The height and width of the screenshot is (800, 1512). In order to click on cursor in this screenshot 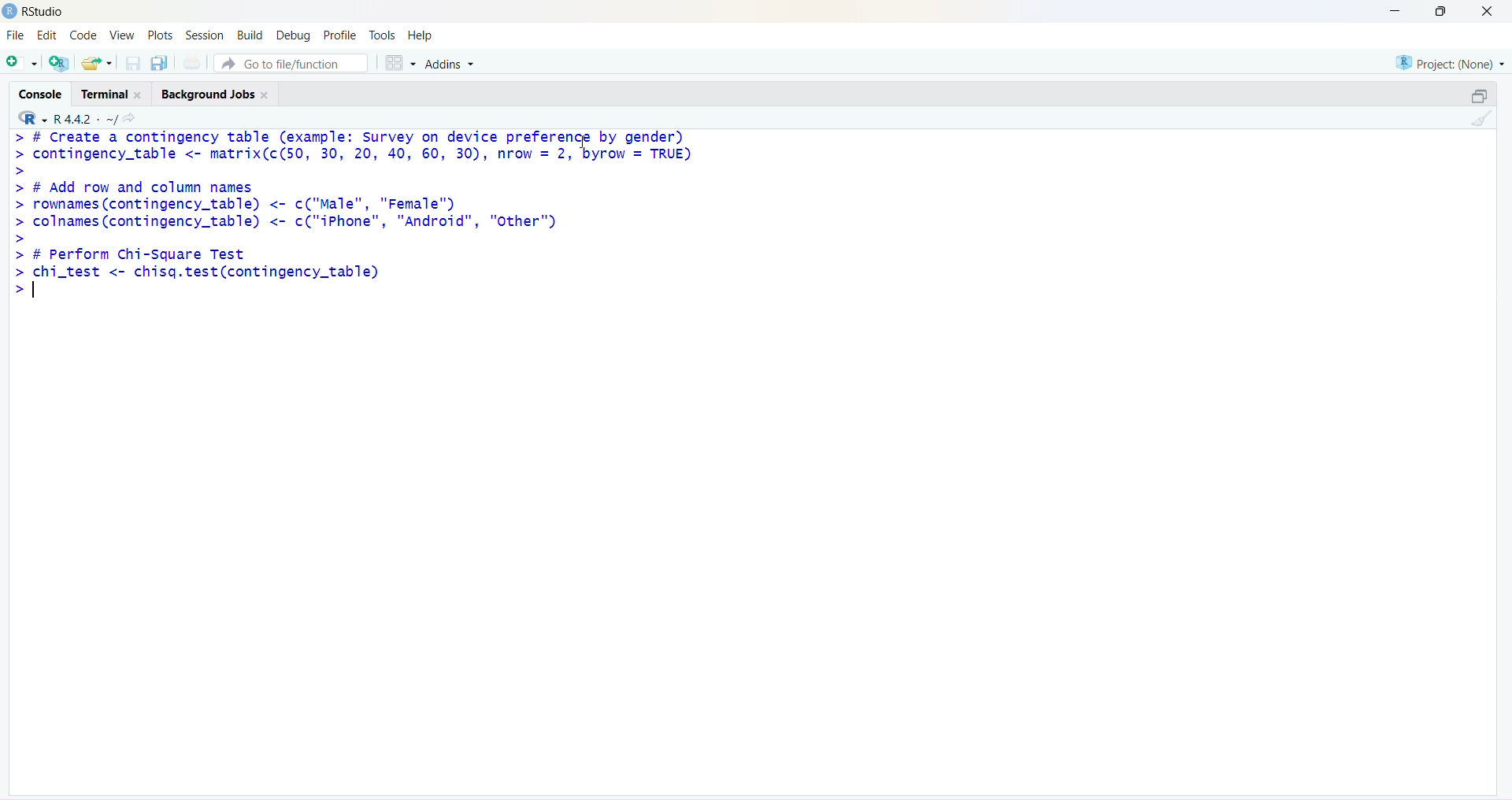, I will do `click(584, 142)`.